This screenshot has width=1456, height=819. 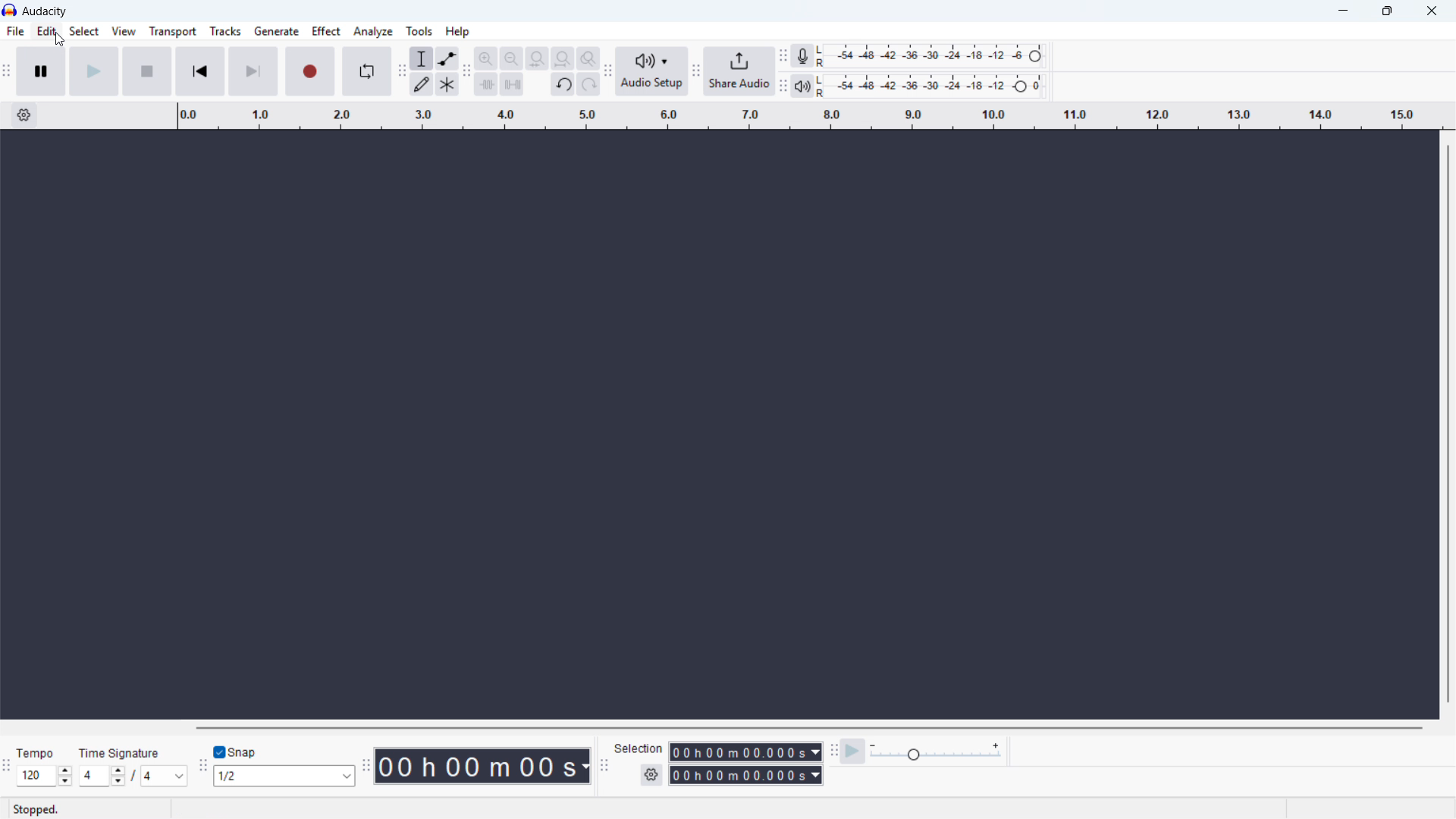 What do you see at coordinates (276, 31) in the screenshot?
I see `generate` at bounding box center [276, 31].